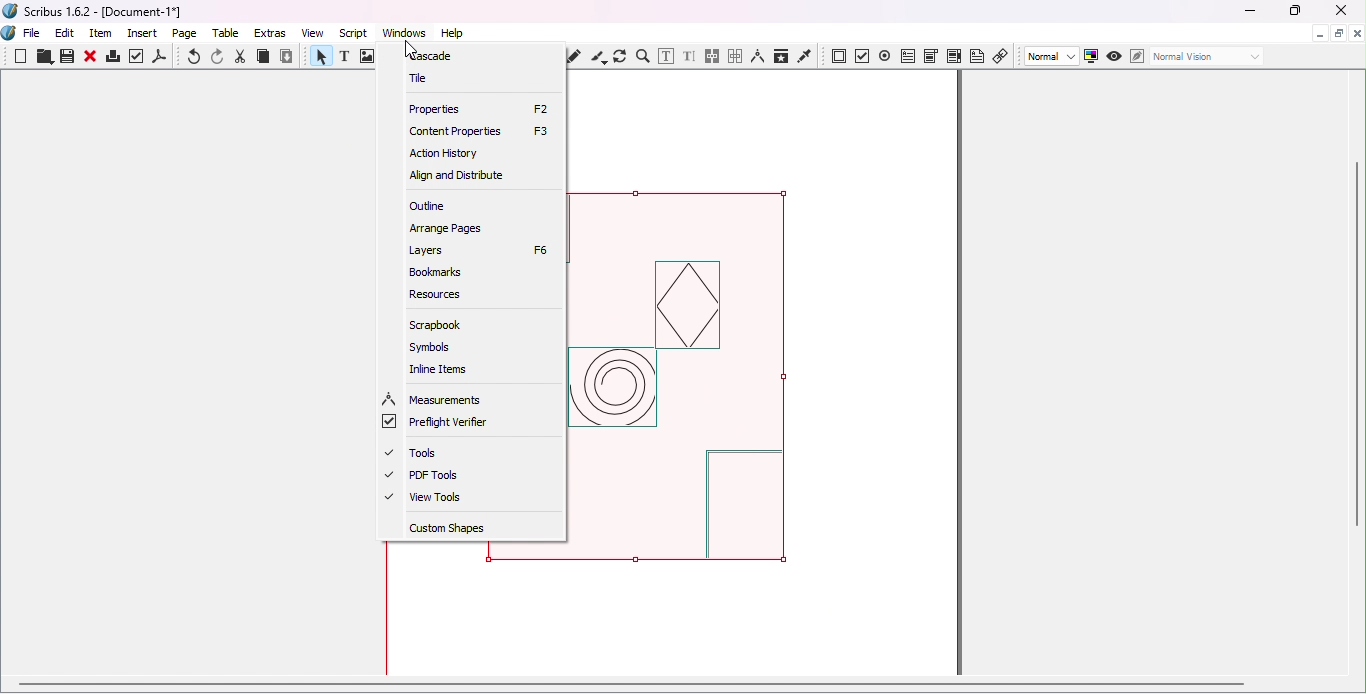 Image resolution: width=1366 pixels, height=694 pixels. I want to click on PDF push button, so click(839, 57).